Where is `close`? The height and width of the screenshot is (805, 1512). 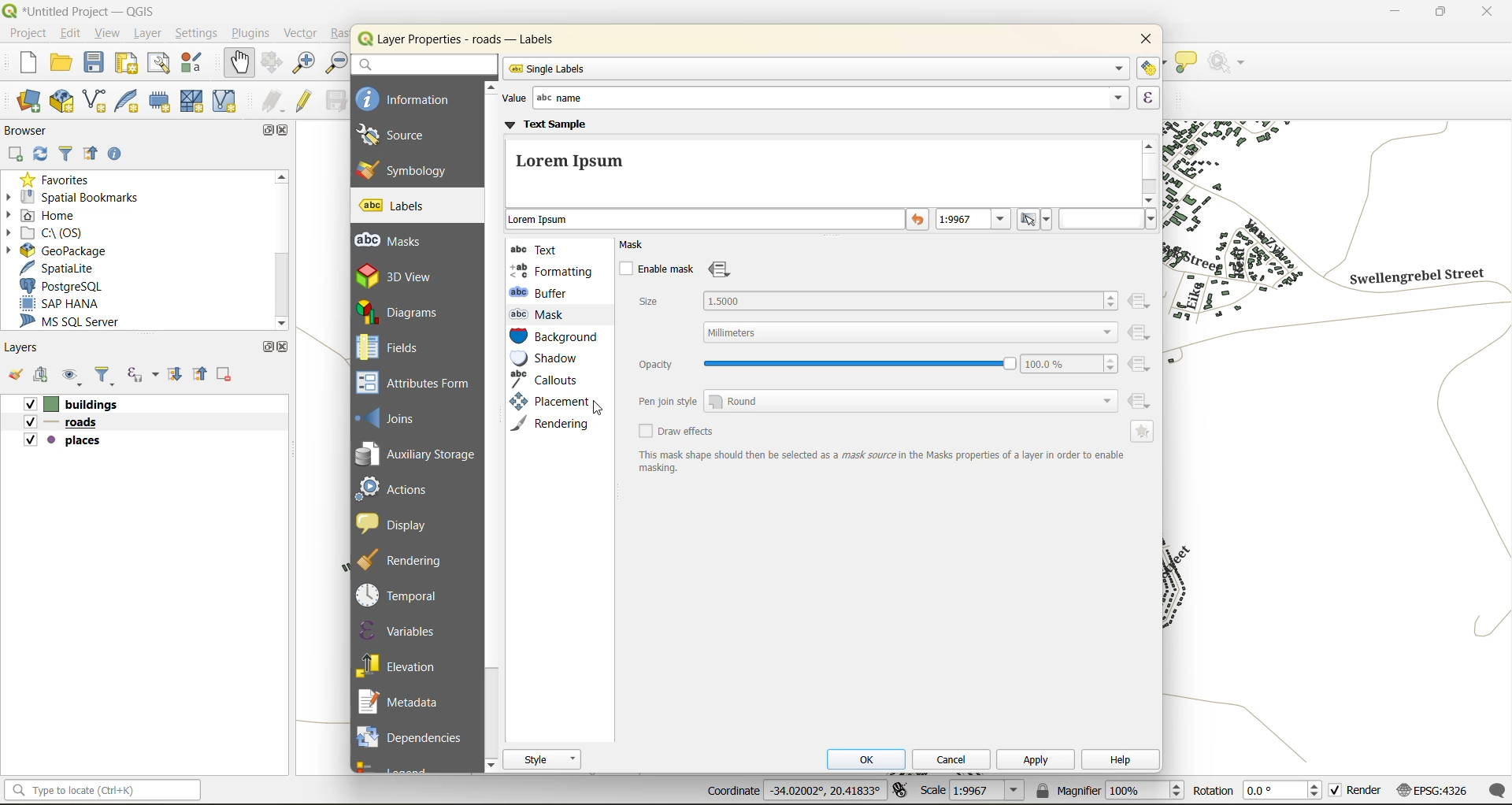
close is located at coordinates (1141, 40).